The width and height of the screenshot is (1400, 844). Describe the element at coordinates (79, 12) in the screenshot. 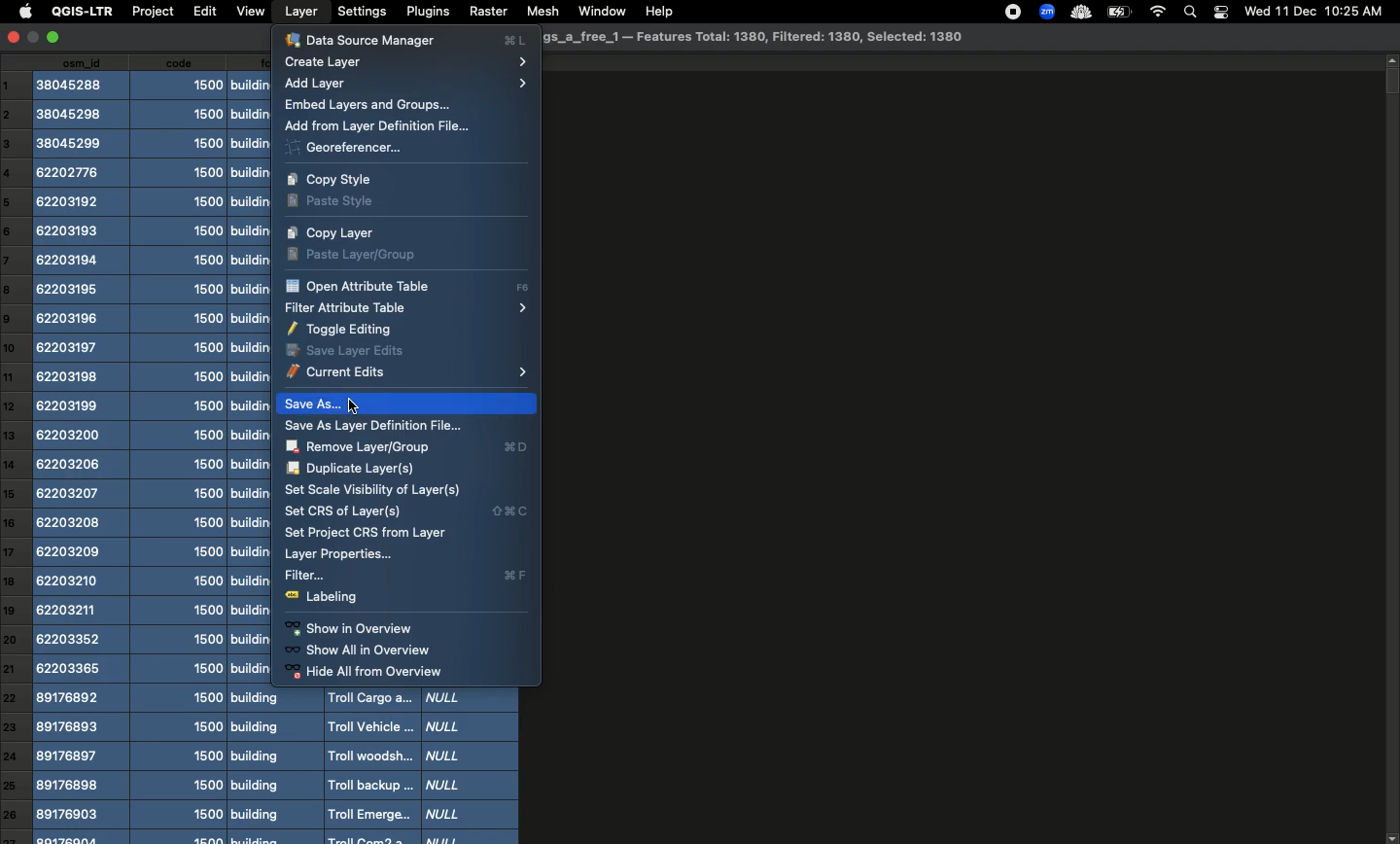

I see `QGIS-LTR` at that location.